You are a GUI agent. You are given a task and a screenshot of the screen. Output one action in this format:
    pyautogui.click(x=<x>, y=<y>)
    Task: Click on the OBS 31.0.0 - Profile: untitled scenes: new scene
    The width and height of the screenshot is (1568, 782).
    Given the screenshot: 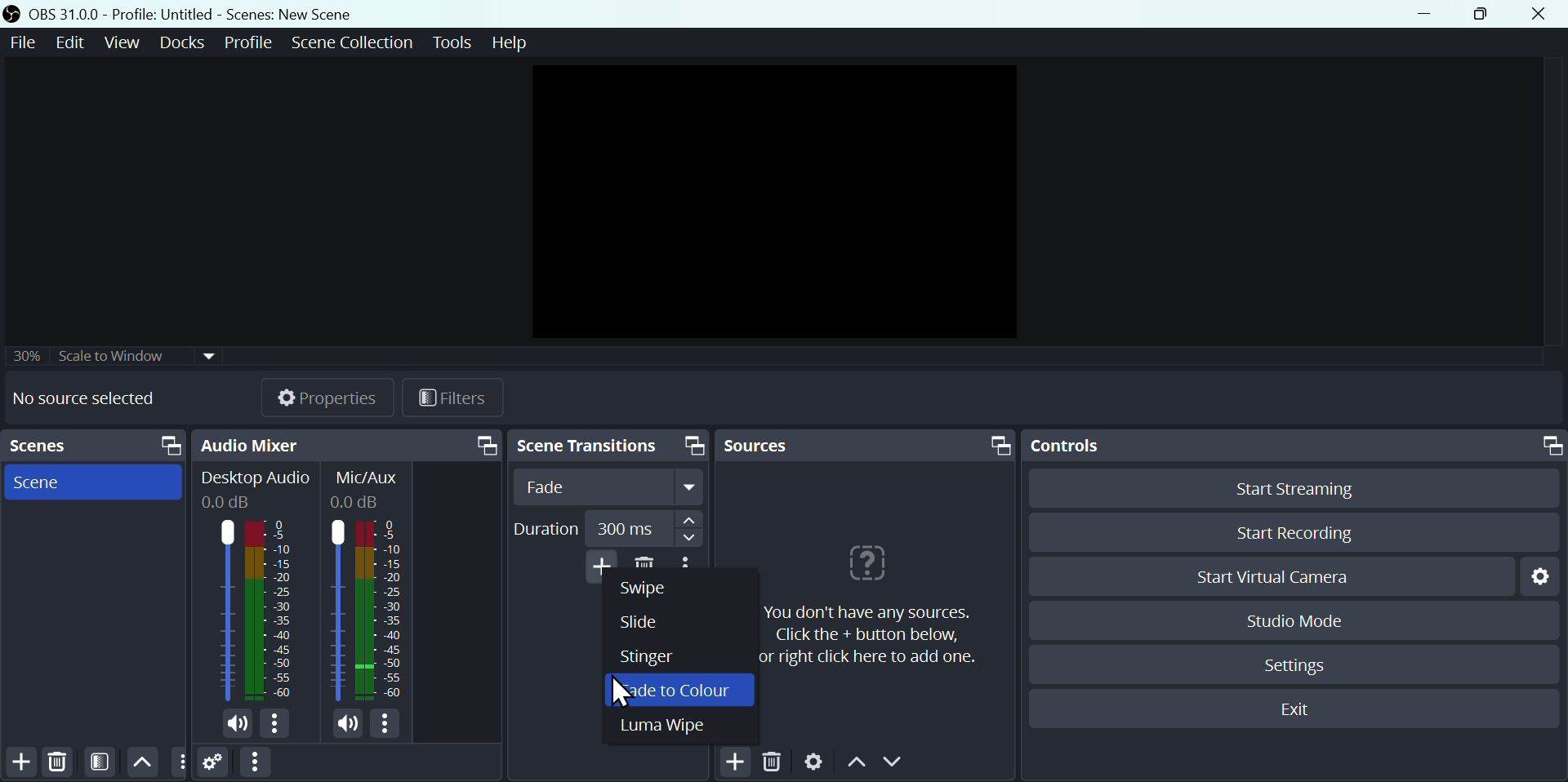 What is the action you would take?
    pyautogui.click(x=185, y=13)
    